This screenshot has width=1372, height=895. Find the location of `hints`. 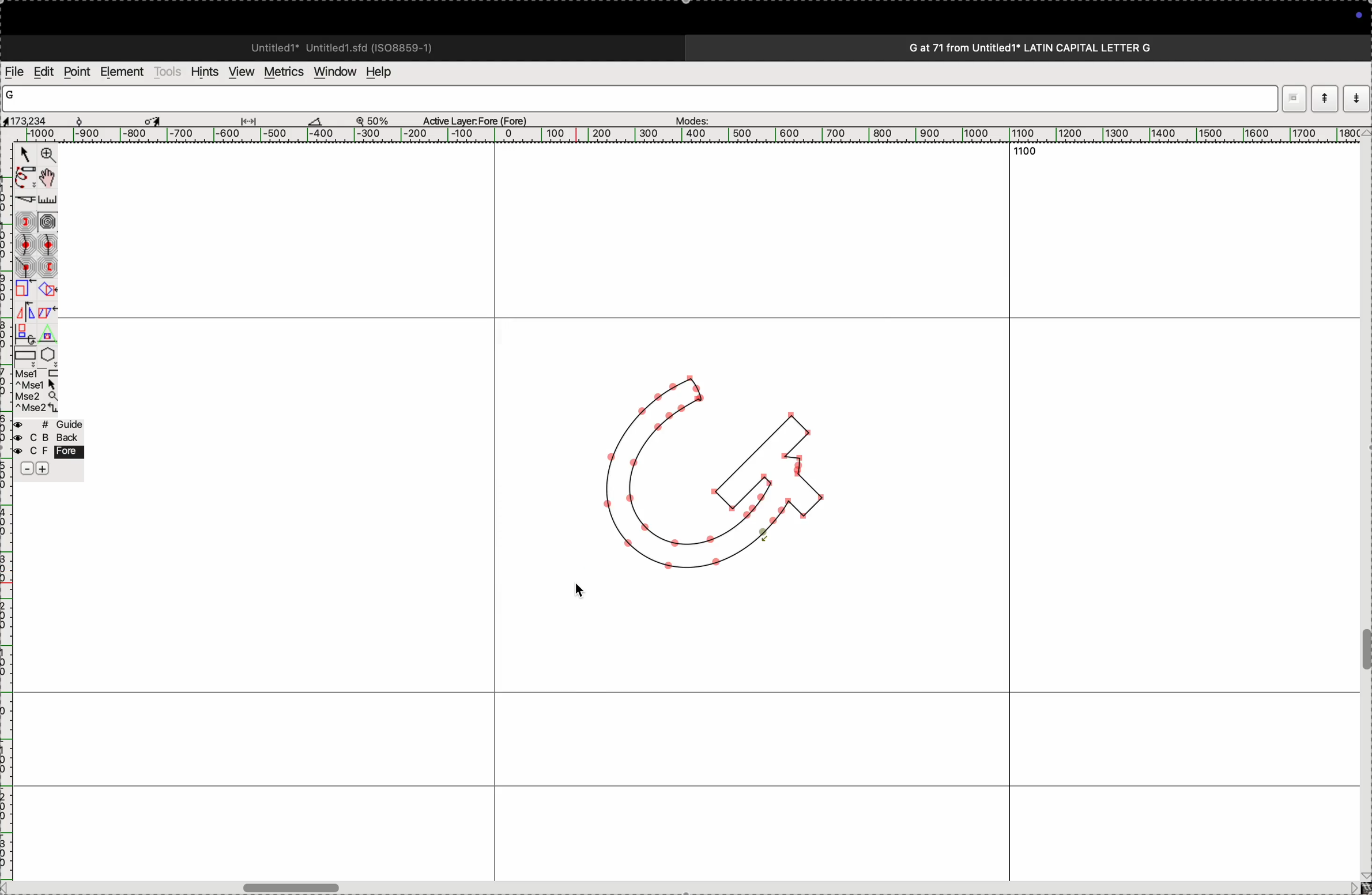

hints is located at coordinates (205, 73).